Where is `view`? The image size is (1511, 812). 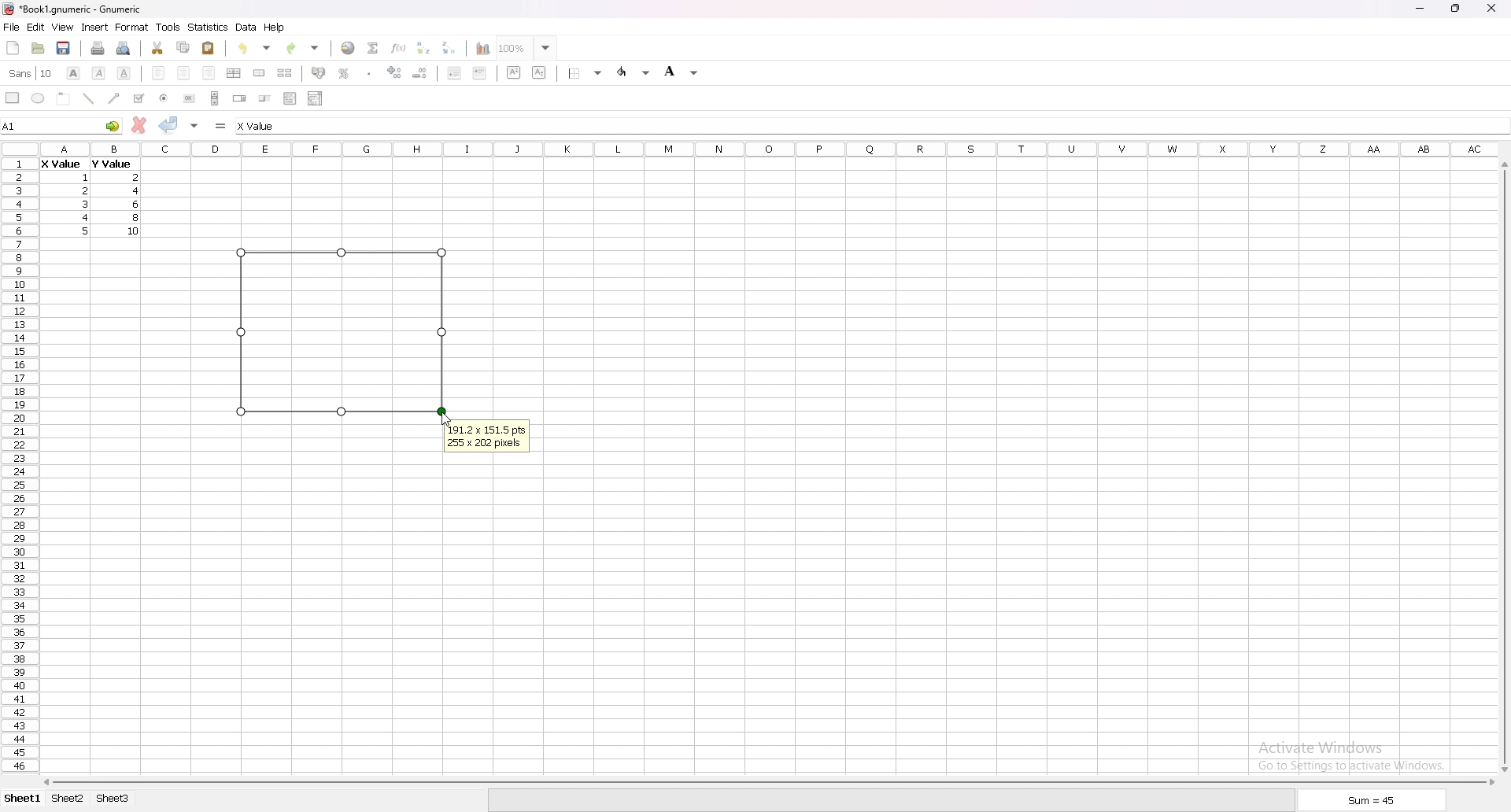
view is located at coordinates (62, 28).